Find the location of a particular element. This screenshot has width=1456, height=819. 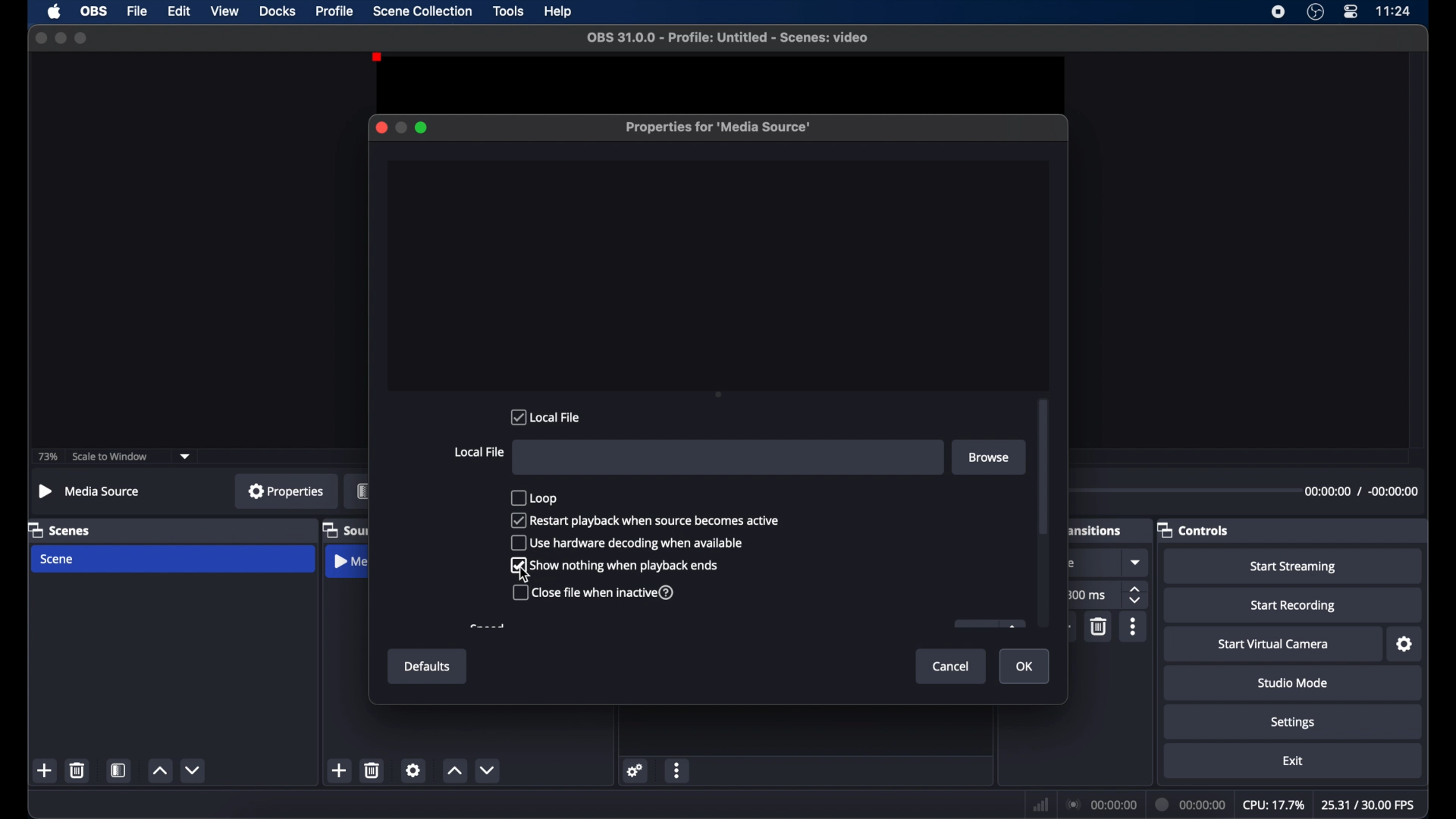

settings is located at coordinates (1294, 723).